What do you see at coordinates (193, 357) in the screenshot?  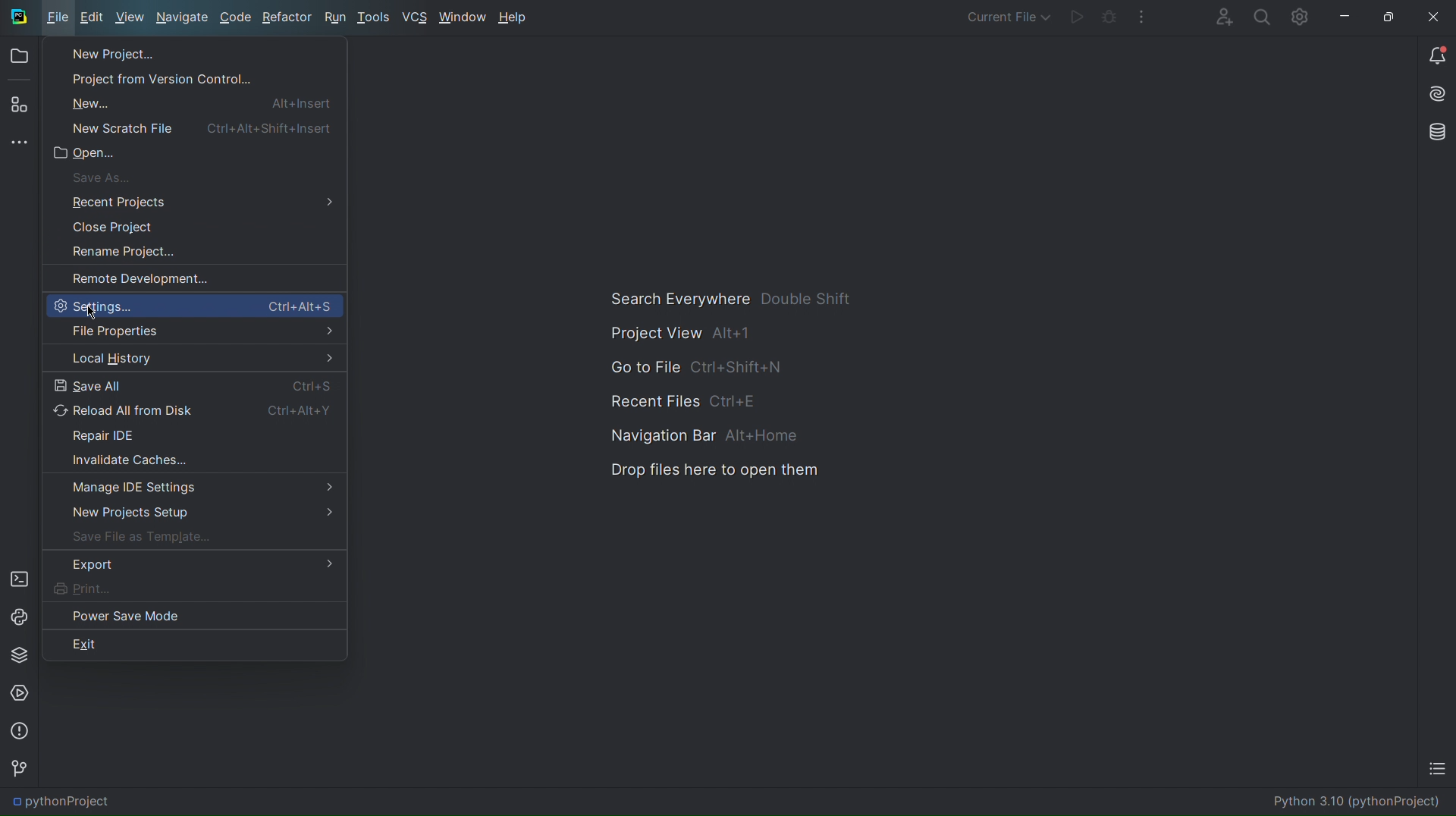 I see `Local History` at bounding box center [193, 357].